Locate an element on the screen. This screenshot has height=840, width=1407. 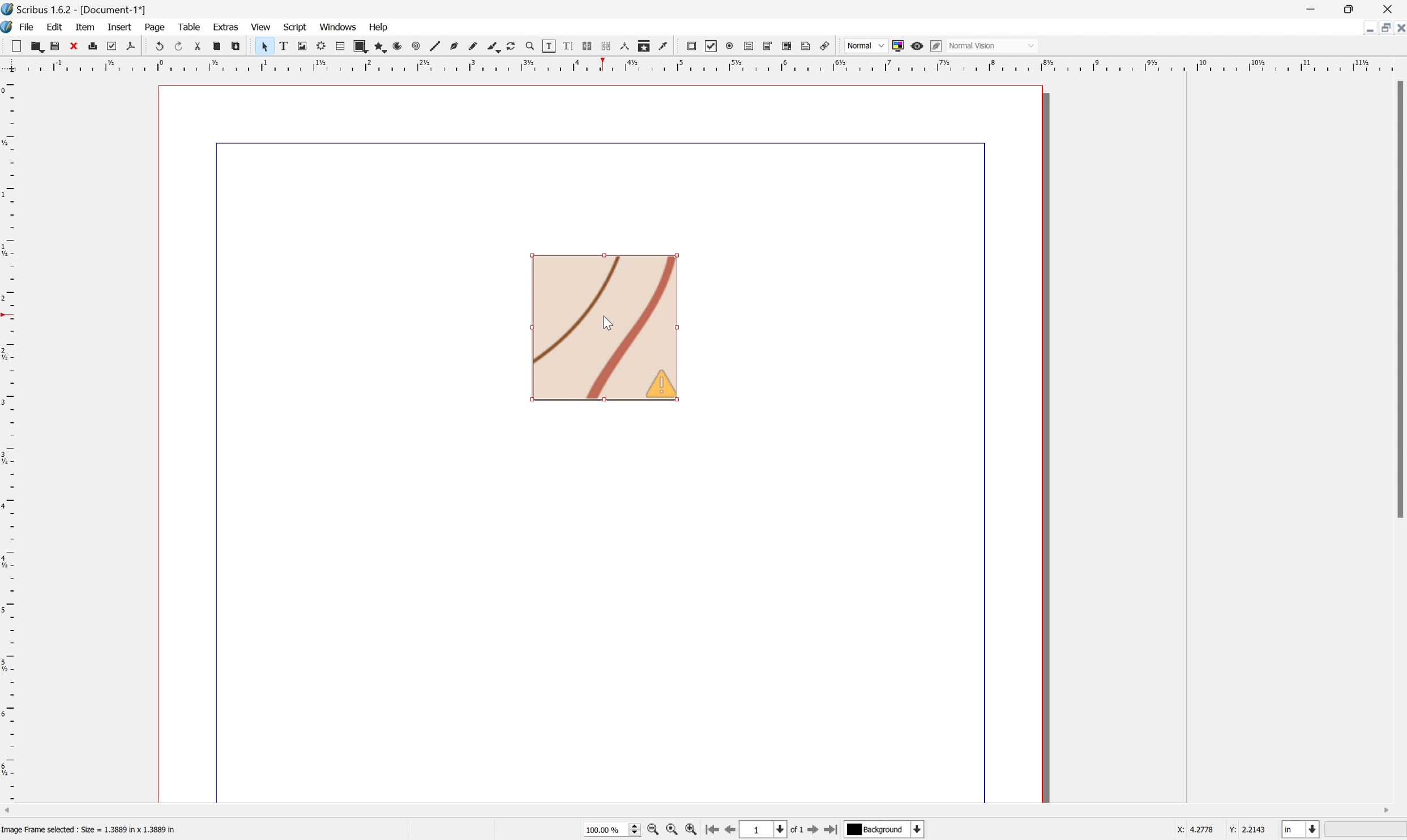
Link annotation is located at coordinates (827, 44).